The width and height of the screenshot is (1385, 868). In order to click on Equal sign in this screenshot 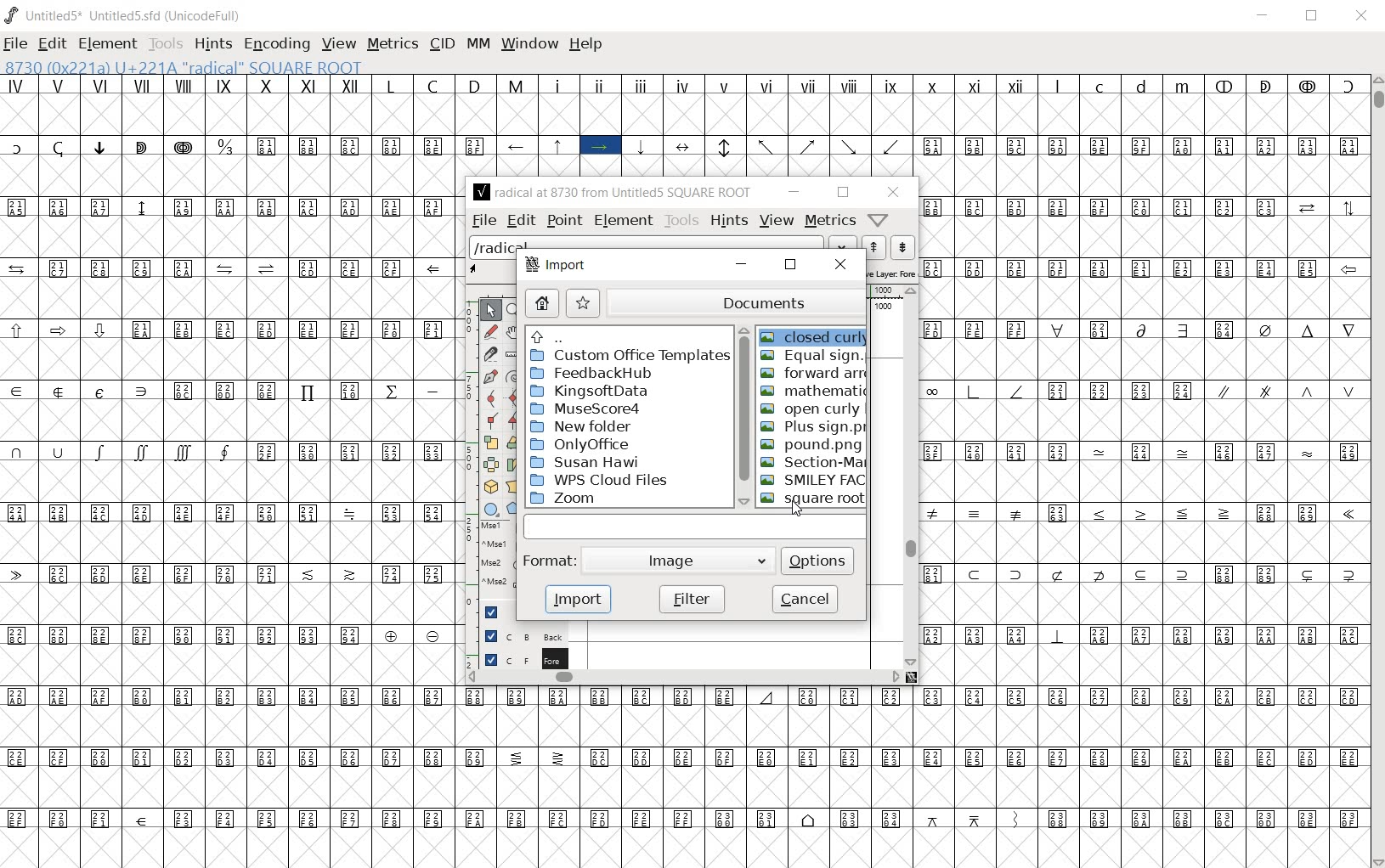, I will do `click(813, 355)`.